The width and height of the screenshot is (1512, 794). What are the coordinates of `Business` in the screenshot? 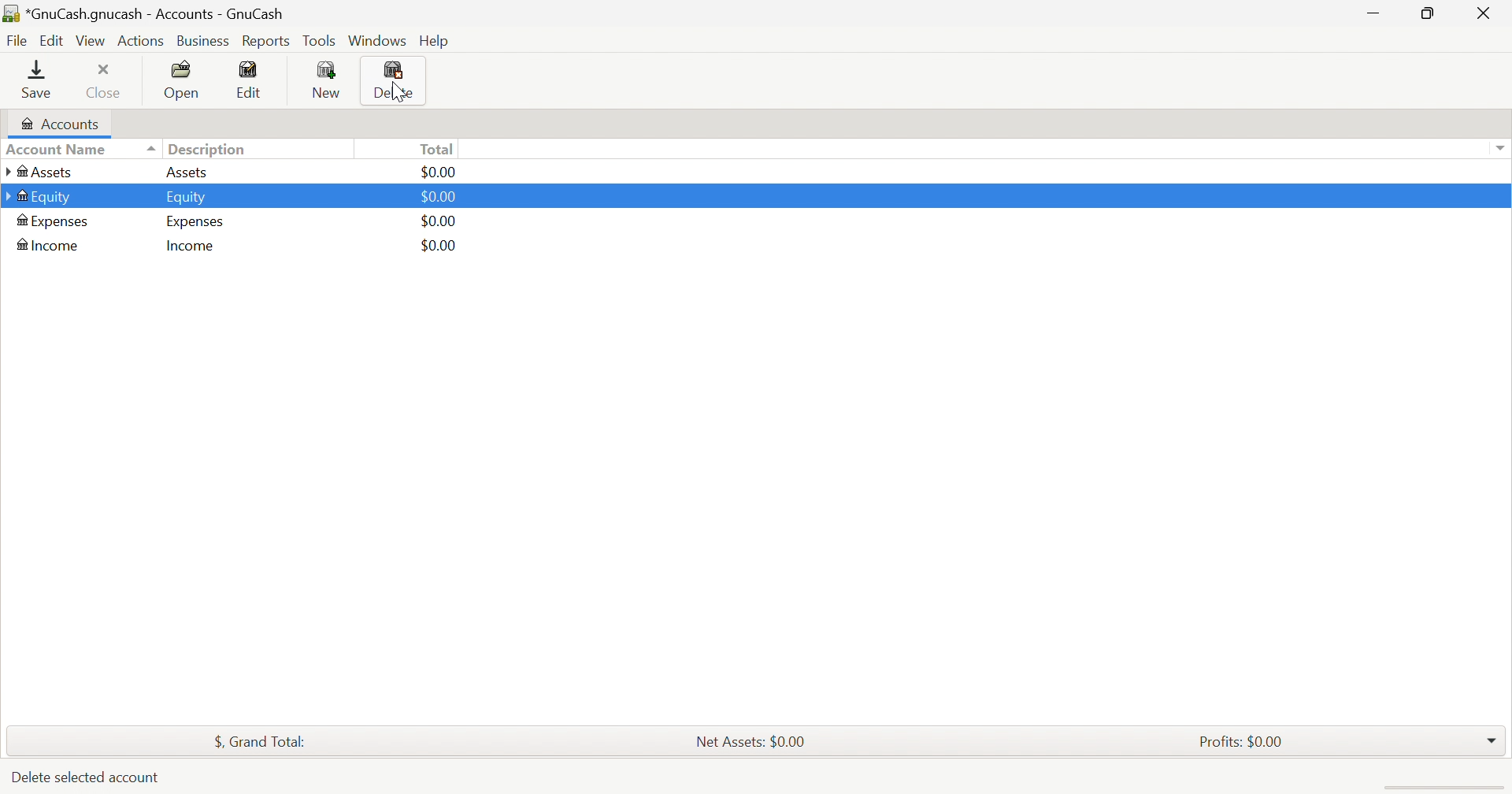 It's located at (204, 42).